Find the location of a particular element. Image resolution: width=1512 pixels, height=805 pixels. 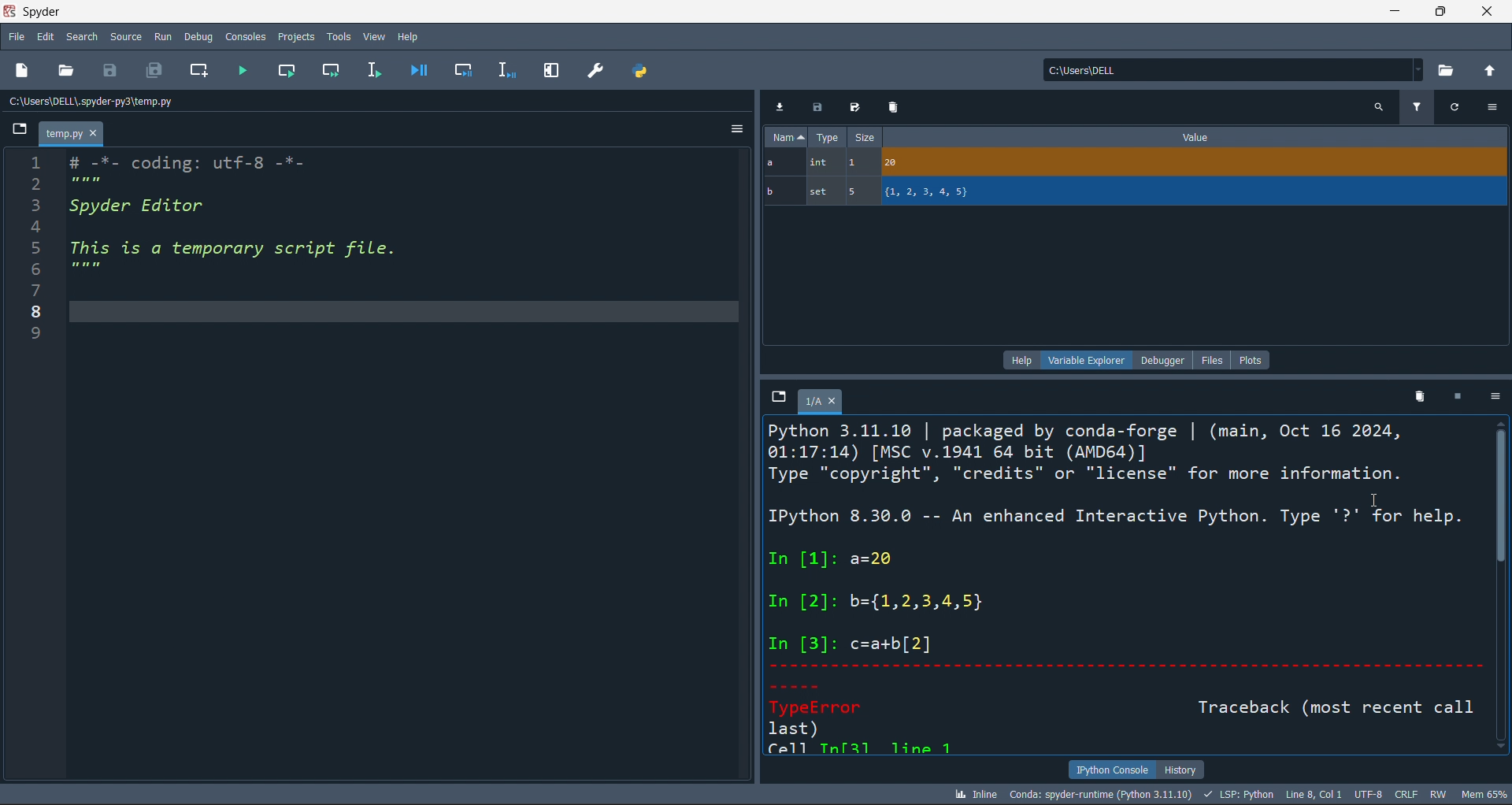

run cell is located at coordinates (335, 72).